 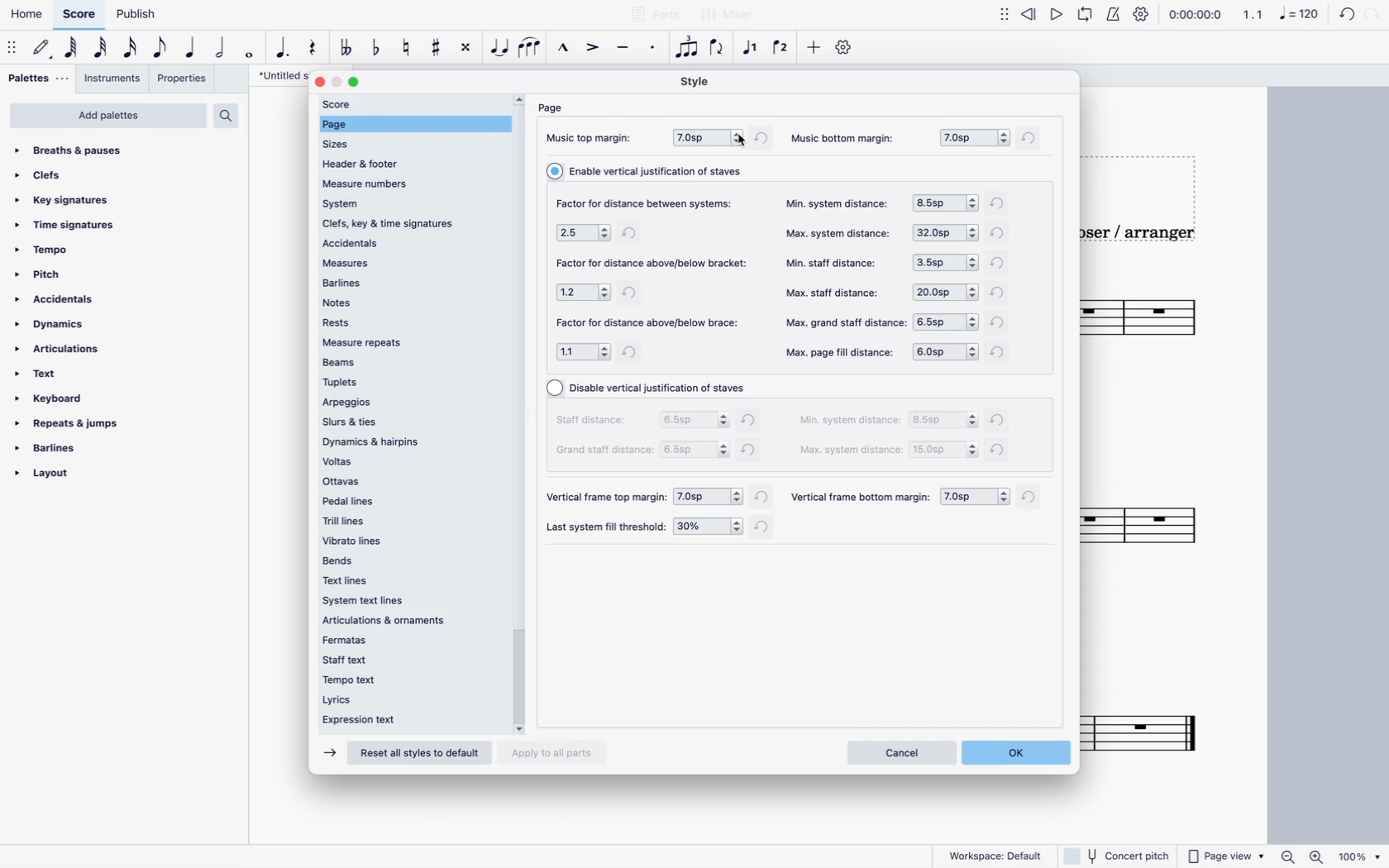 I want to click on add palettes, so click(x=107, y=116).